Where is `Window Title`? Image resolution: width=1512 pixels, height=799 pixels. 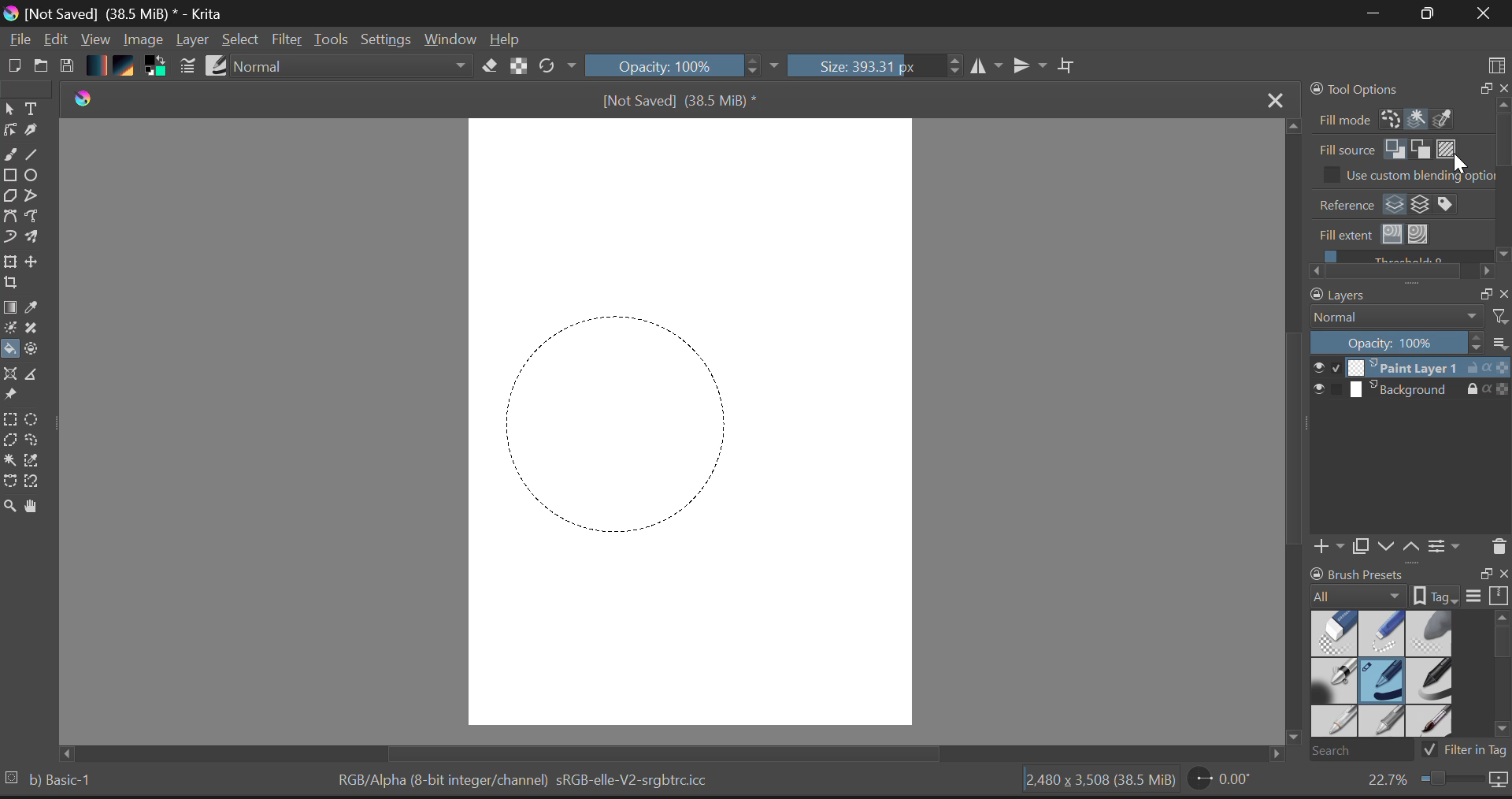 Window Title is located at coordinates (117, 13).